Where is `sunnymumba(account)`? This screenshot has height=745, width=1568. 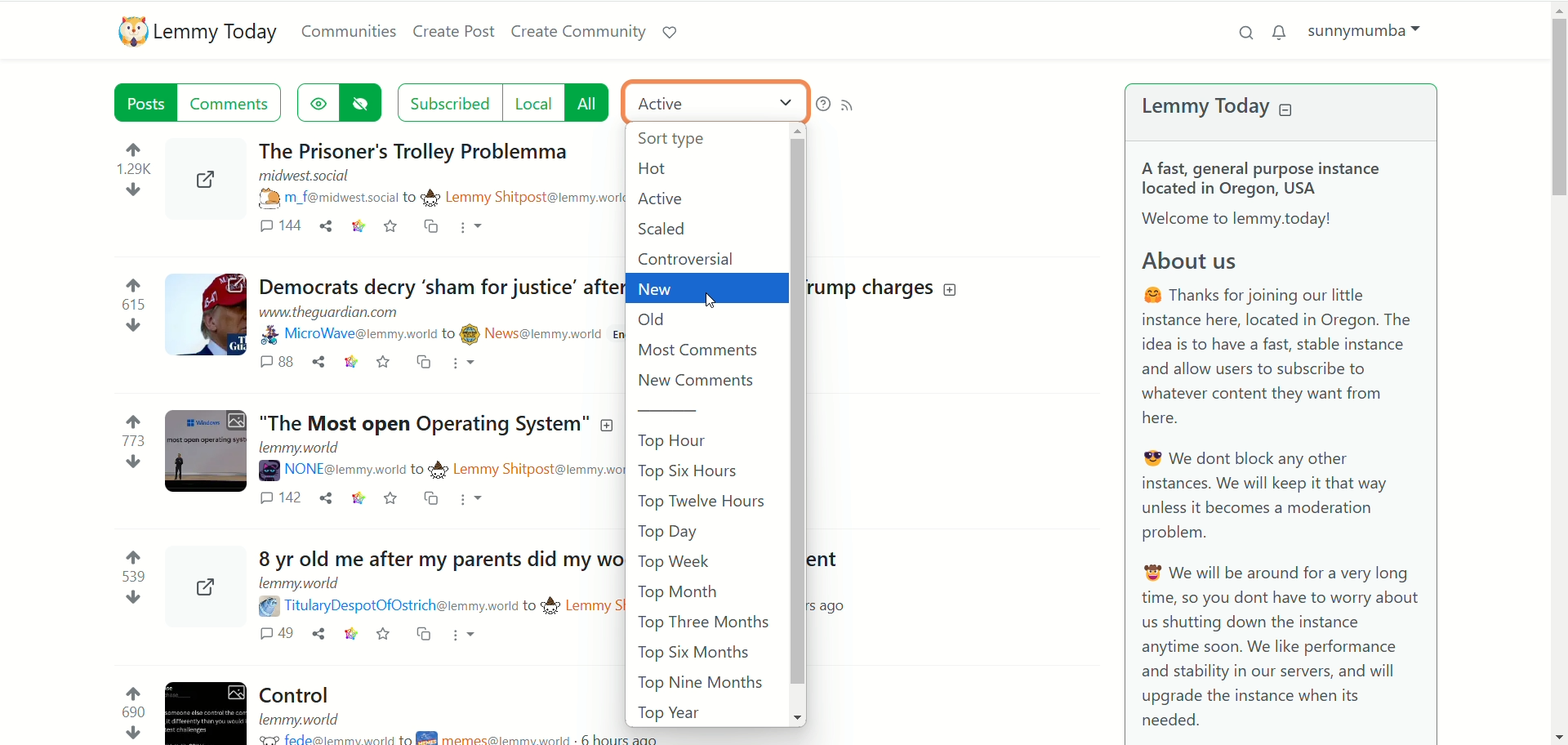 sunnymumba(account) is located at coordinates (1361, 29).